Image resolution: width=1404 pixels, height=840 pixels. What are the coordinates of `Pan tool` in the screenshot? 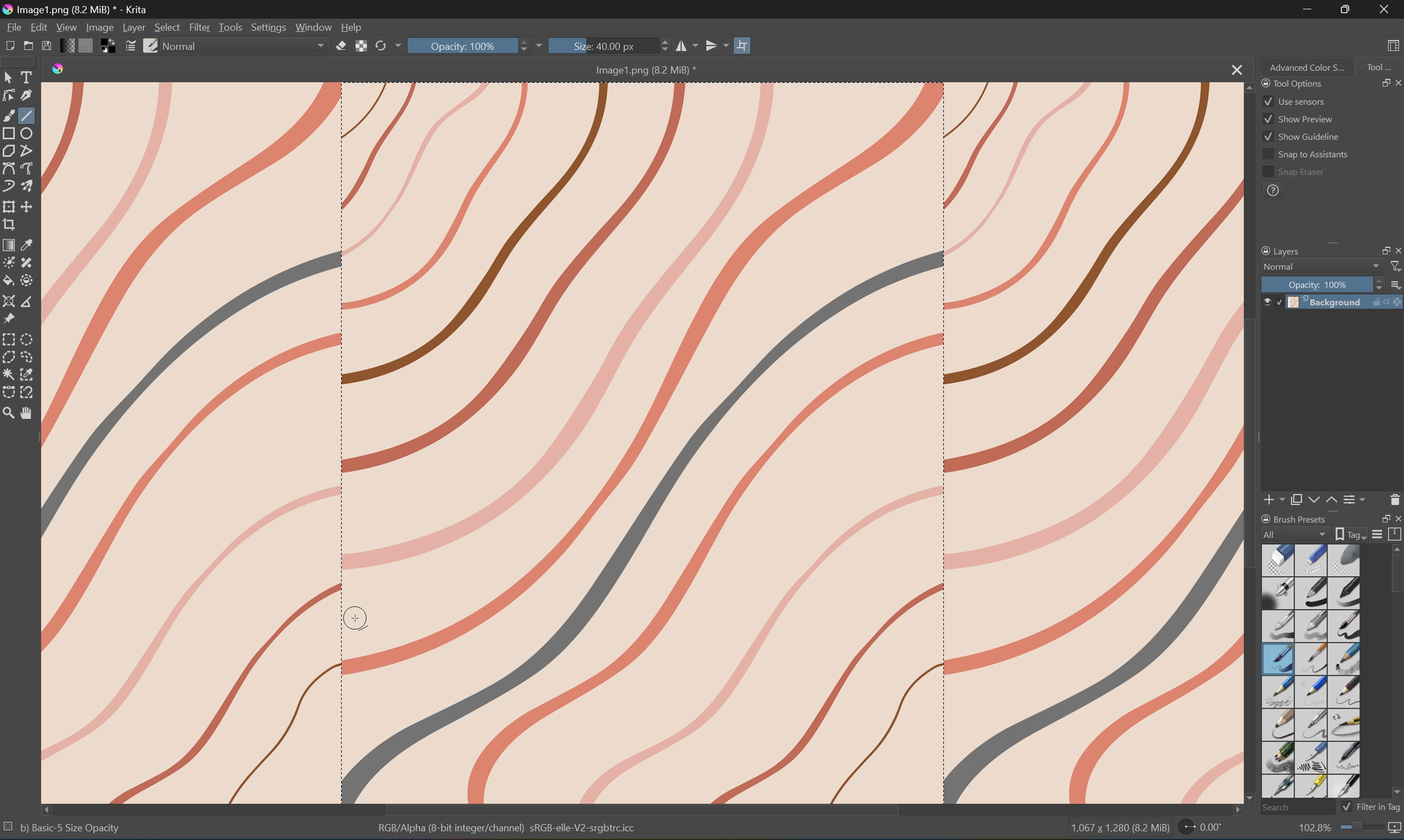 It's located at (28, 415).